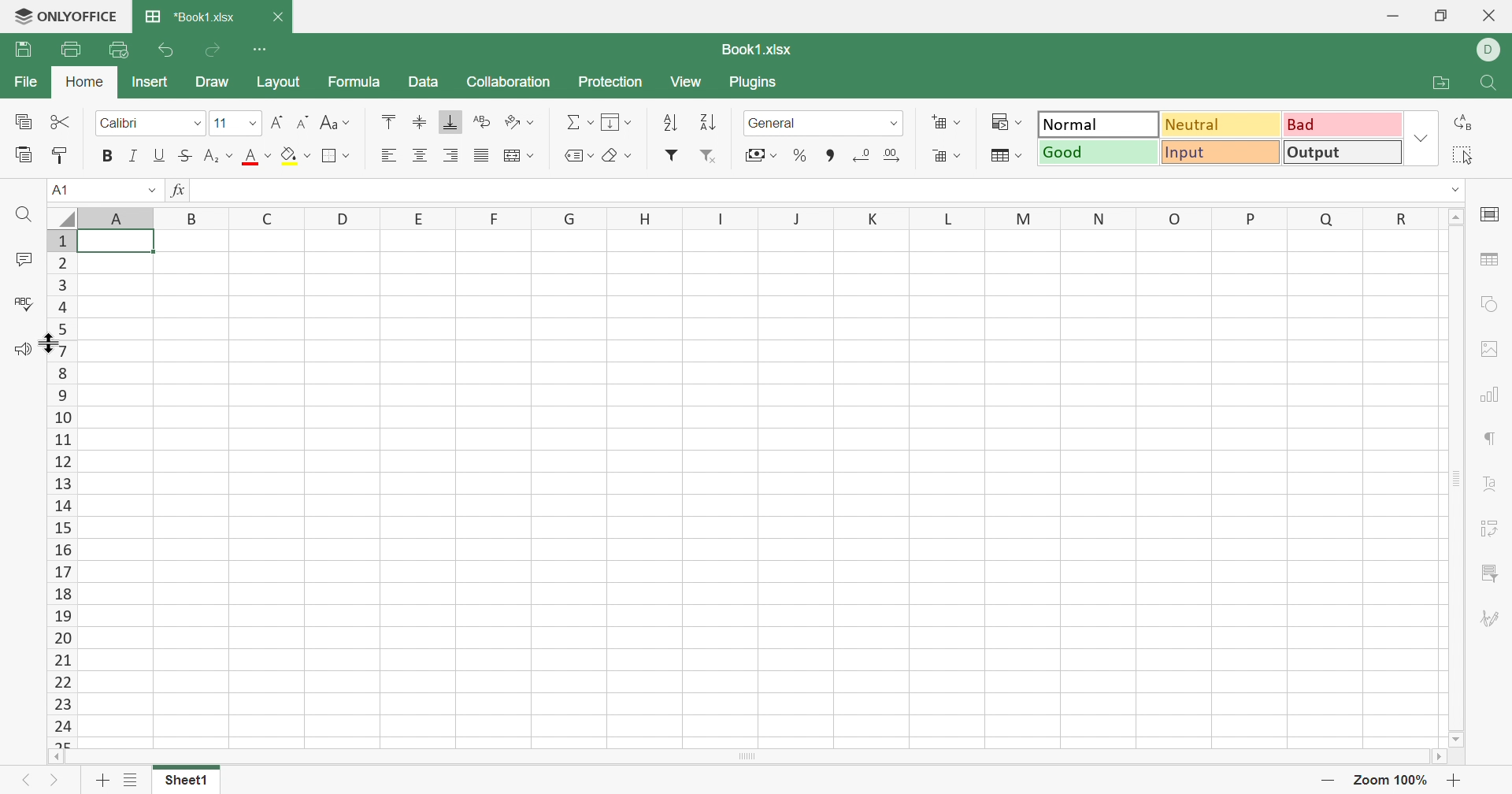 The width and height of the screenshot is (1512, 794). What do you see at coordinates (947, 157) in the screenshot?
I see `Delete cells` at bounding box center [947, 157].